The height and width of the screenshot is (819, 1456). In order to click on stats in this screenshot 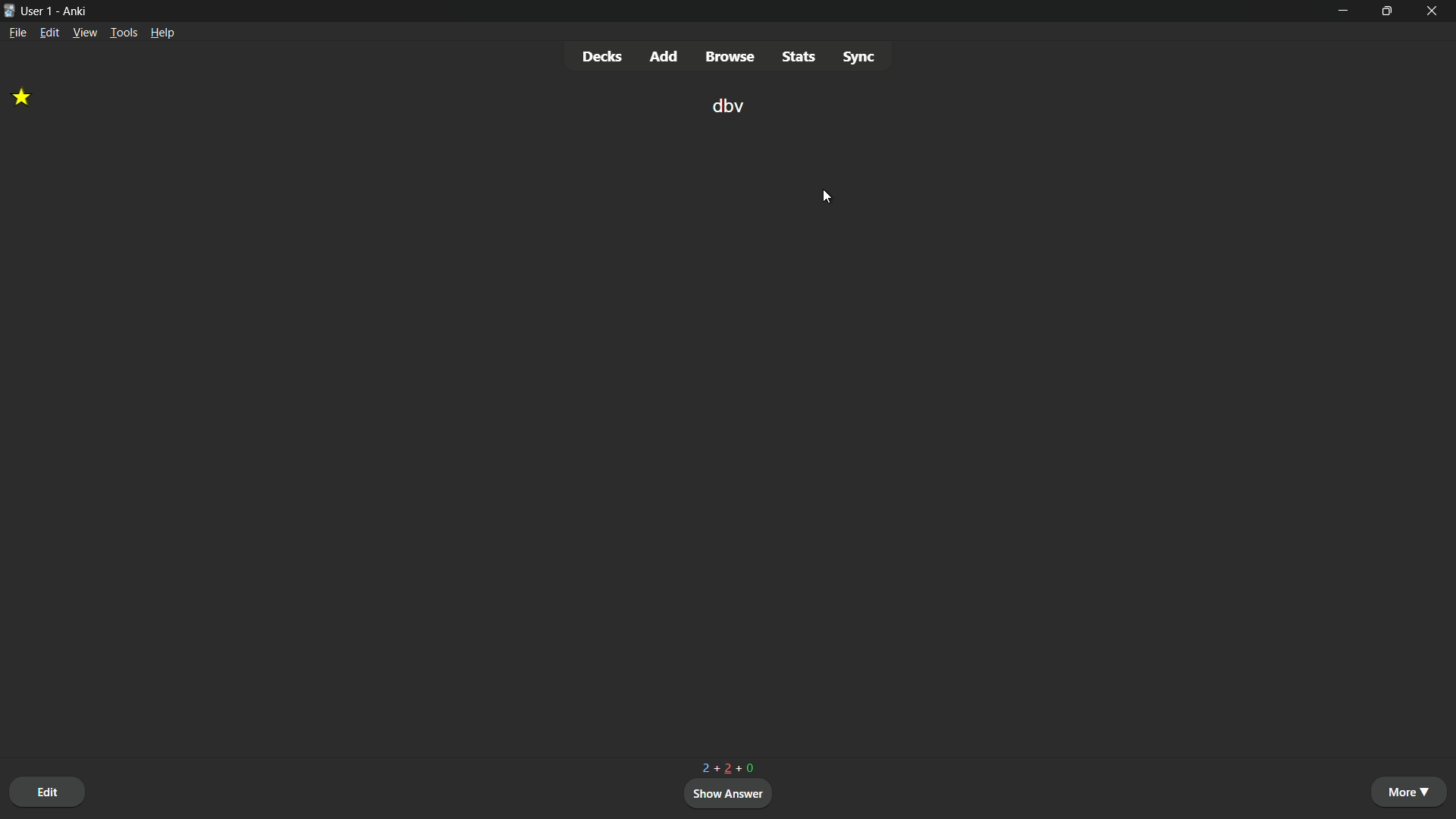, I will do `click(798, 57)`.